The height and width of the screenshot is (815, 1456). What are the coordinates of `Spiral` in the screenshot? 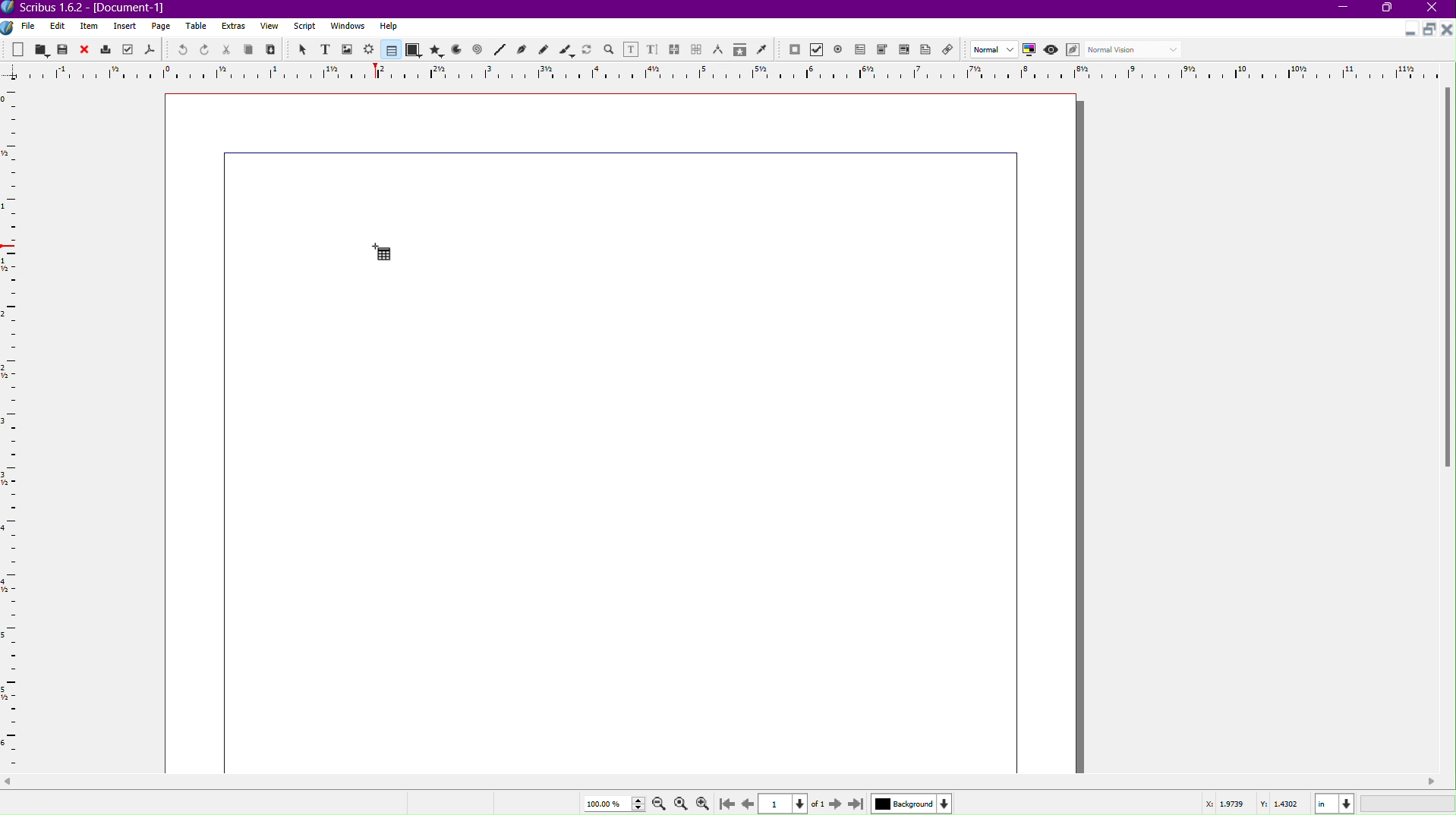 It's located at (478, 51).